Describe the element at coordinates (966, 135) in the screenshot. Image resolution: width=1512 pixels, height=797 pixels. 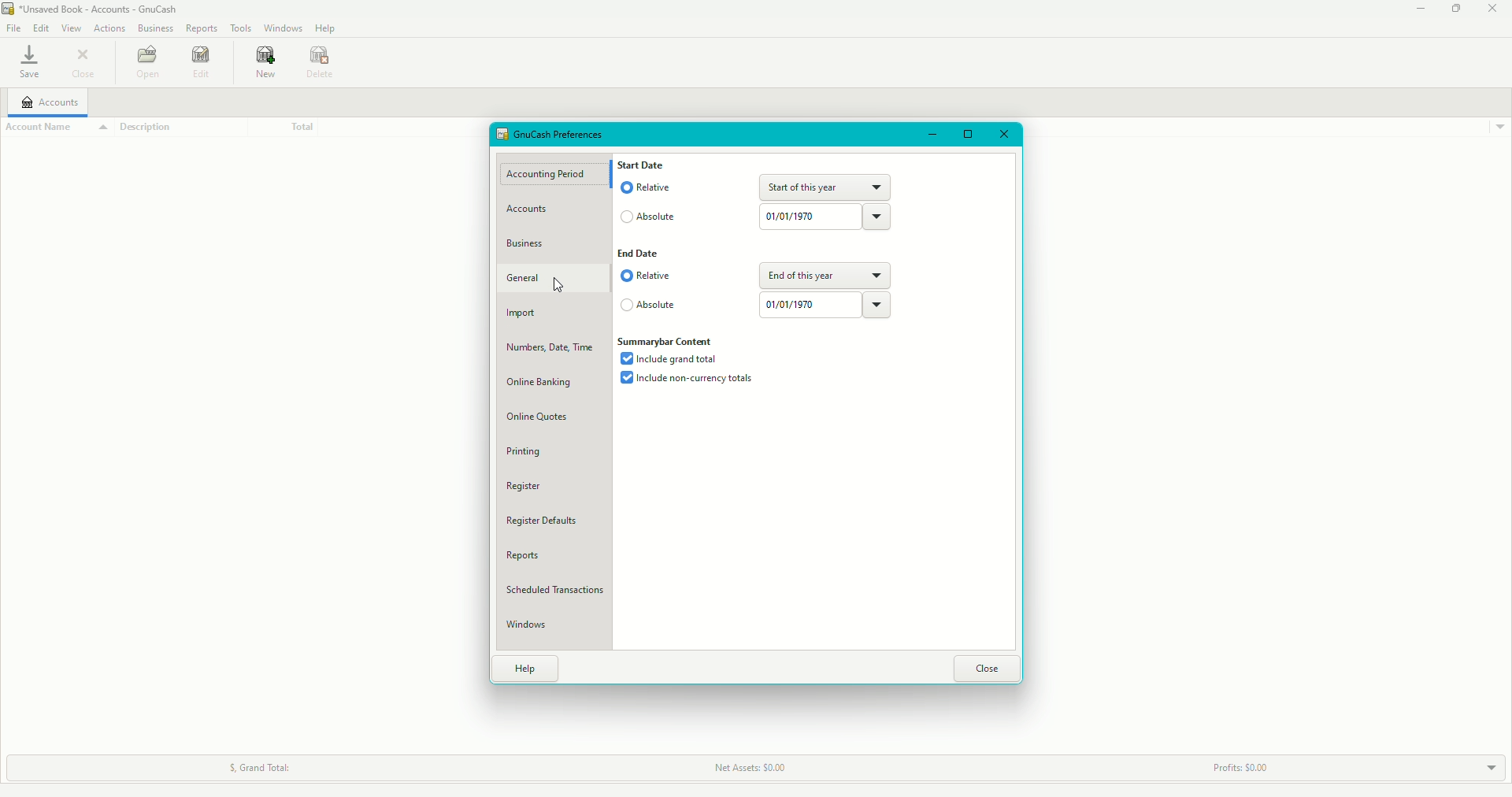
I see `Restore` at that location.